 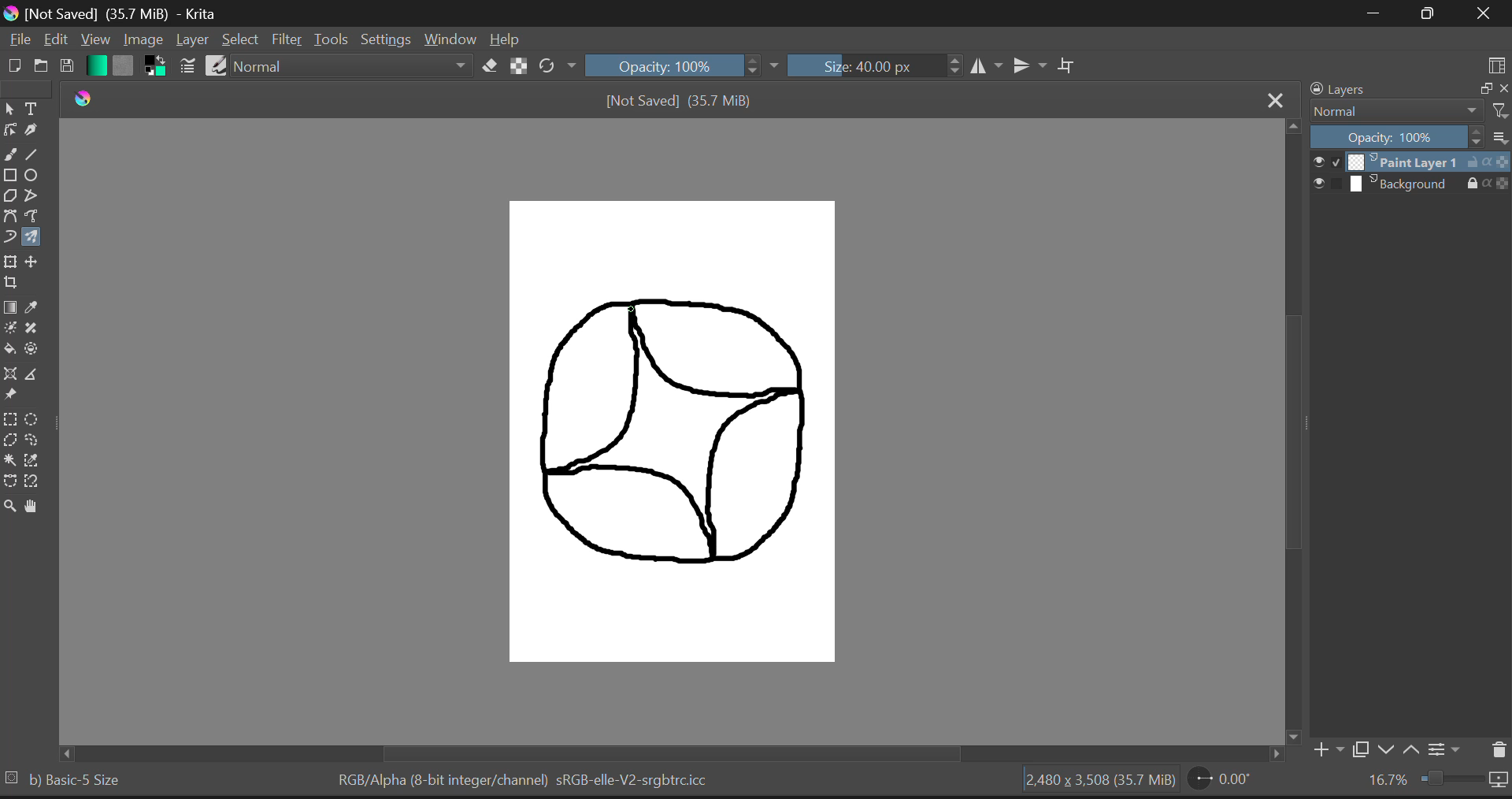 I want to click on Move Layer, so click(x=35, y=263).